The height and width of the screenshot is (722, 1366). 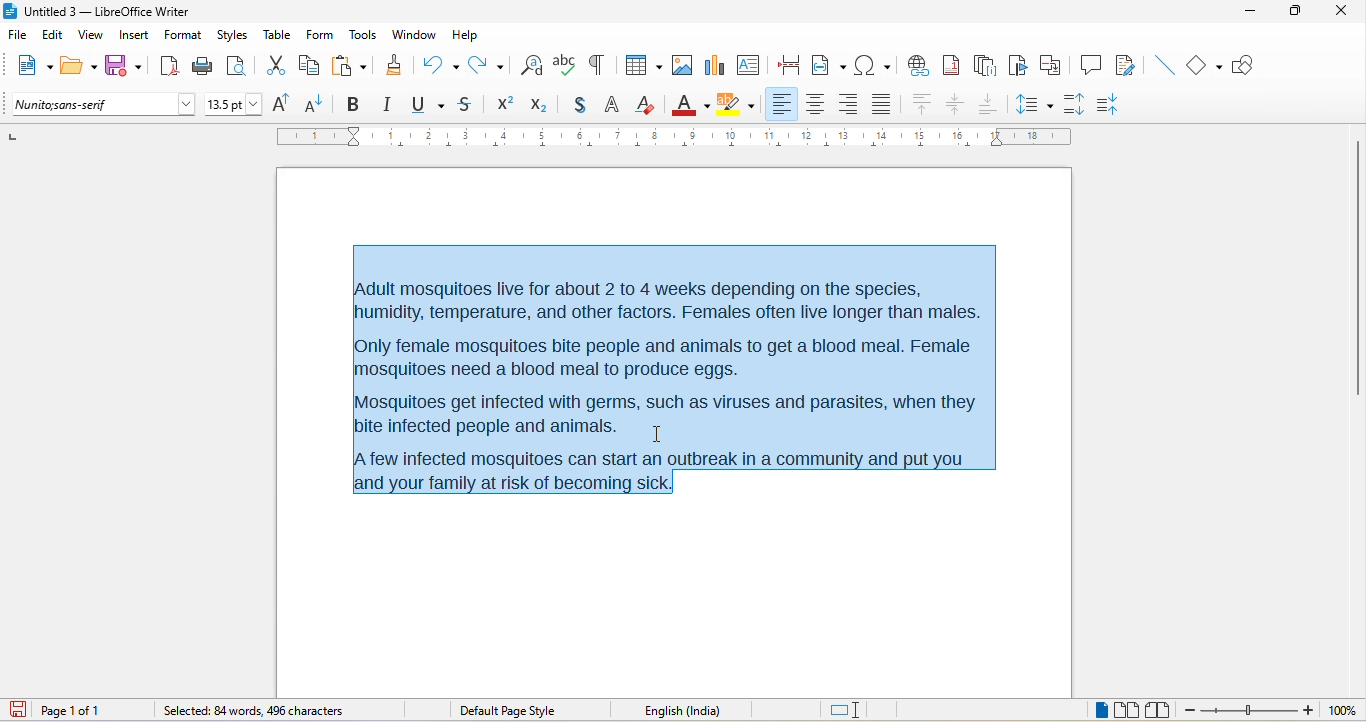 I want to click on ruler, so click(x=675, y=136).